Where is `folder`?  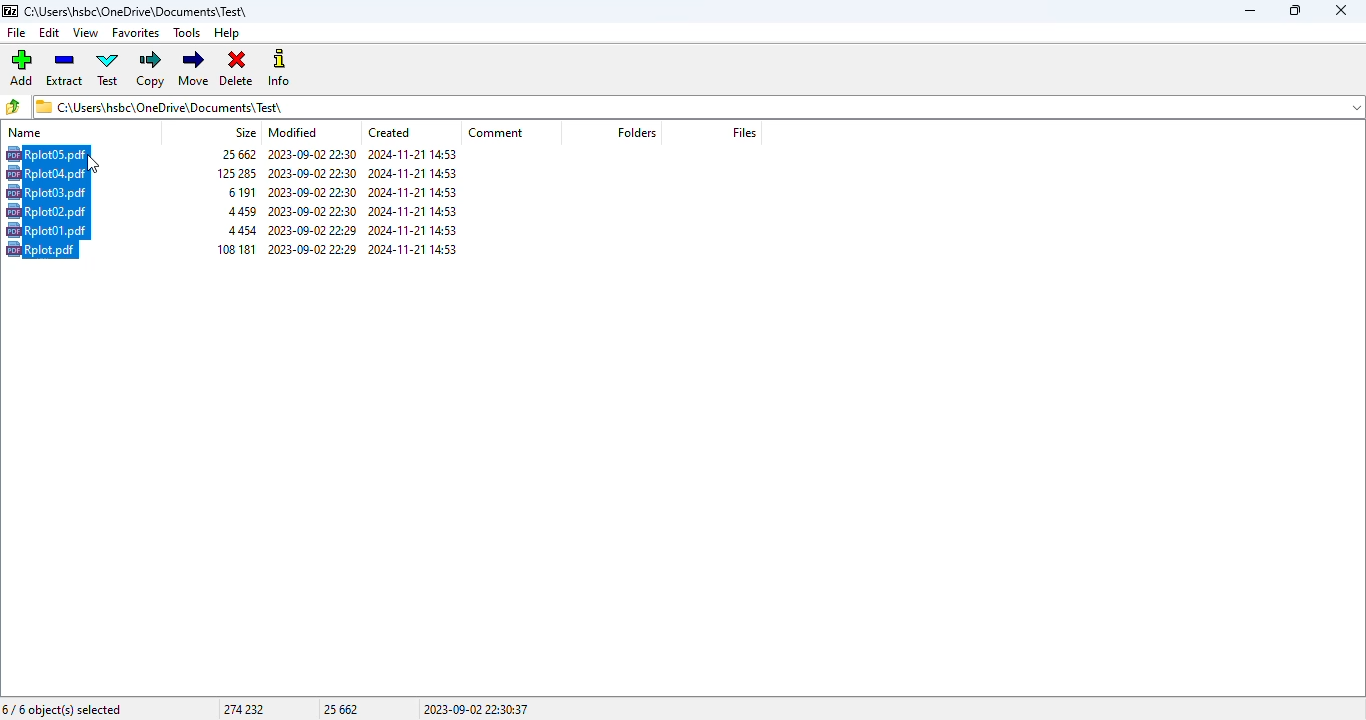 folder is located at coordinates (138, 11).